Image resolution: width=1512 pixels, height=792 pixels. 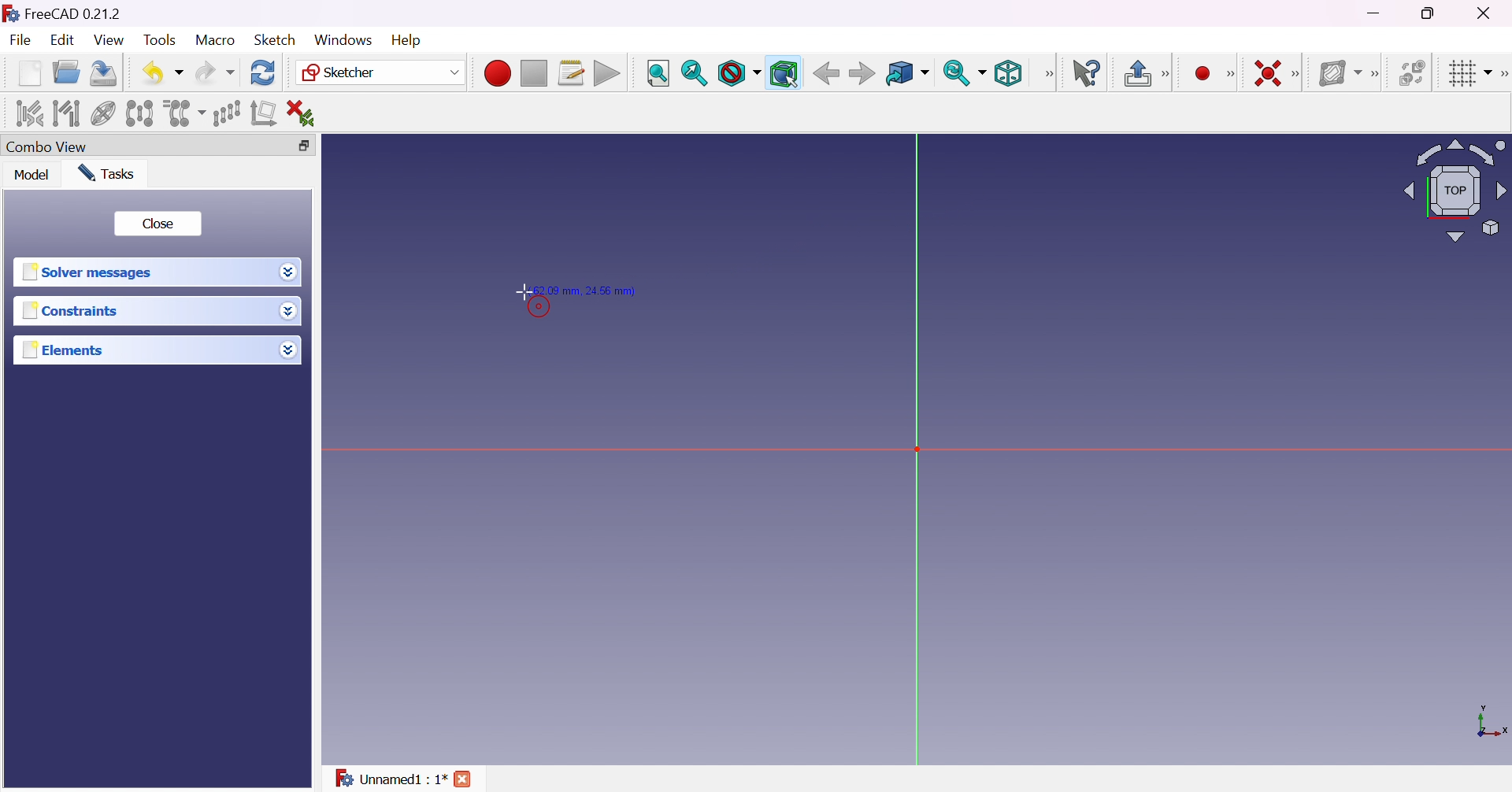 What do you see at coordinates (1468, 72) in the screenshot?
I see `Toggle grid` at bounding box center [1468, 72].